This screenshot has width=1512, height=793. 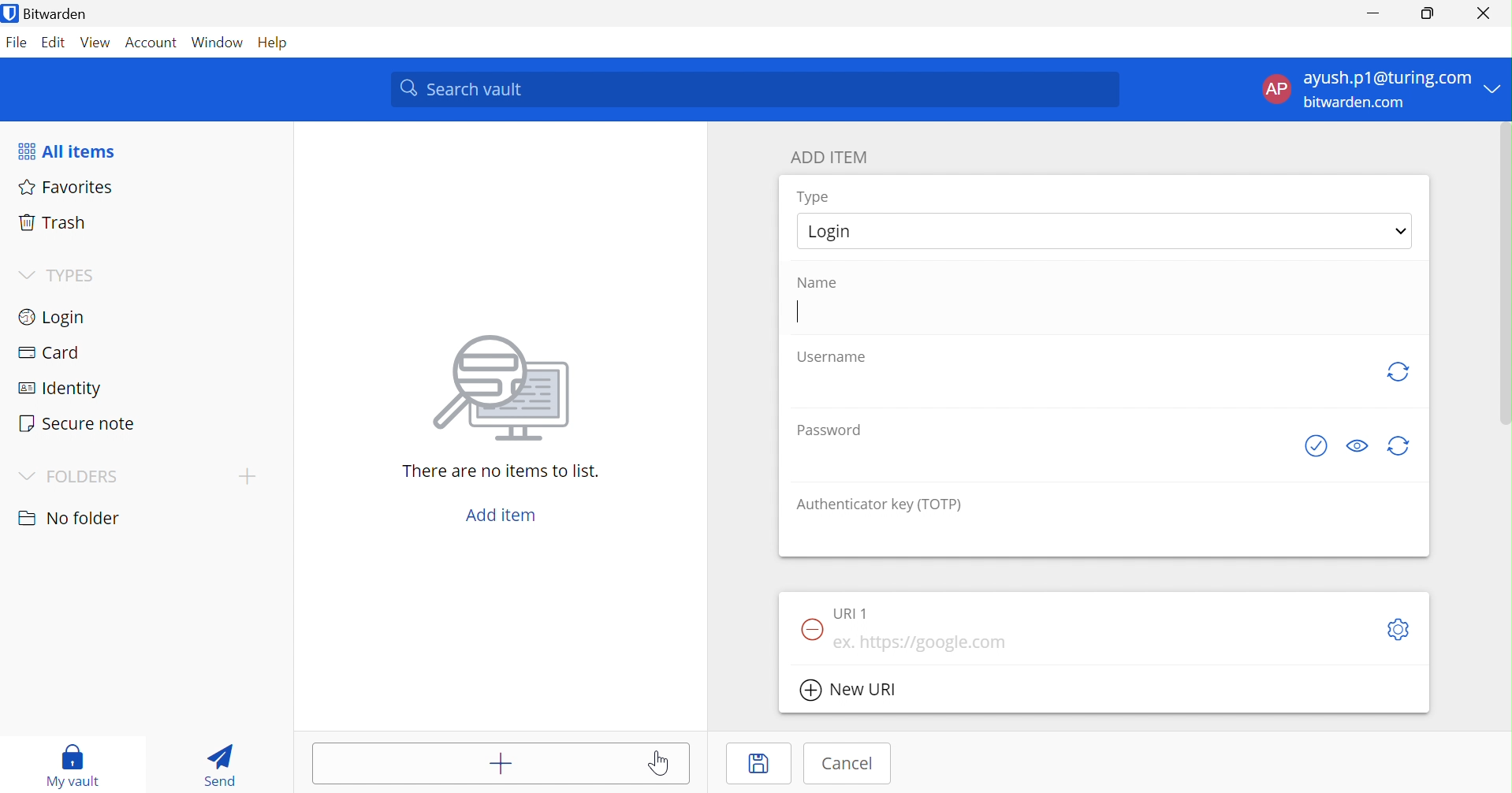 I want to click on Authenticator key (TOTP), so click(x=878, y=505).